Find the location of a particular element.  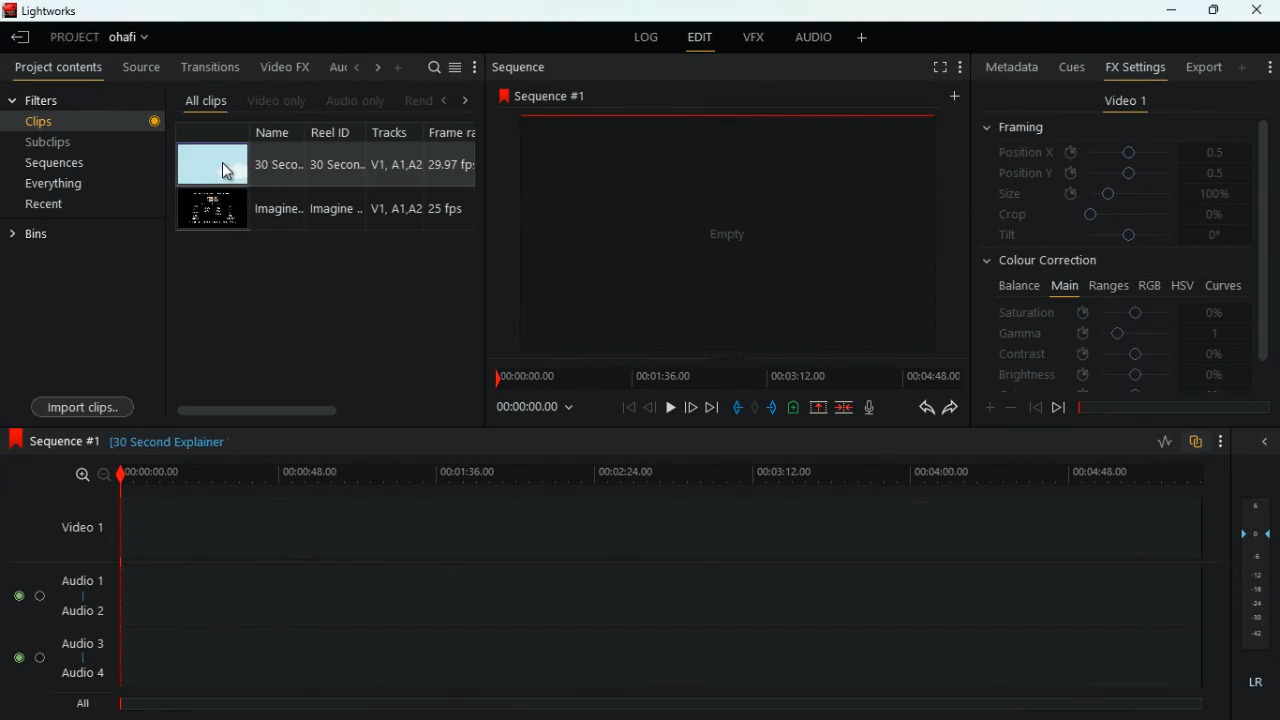

lr is located at coordinates (1253, 683).